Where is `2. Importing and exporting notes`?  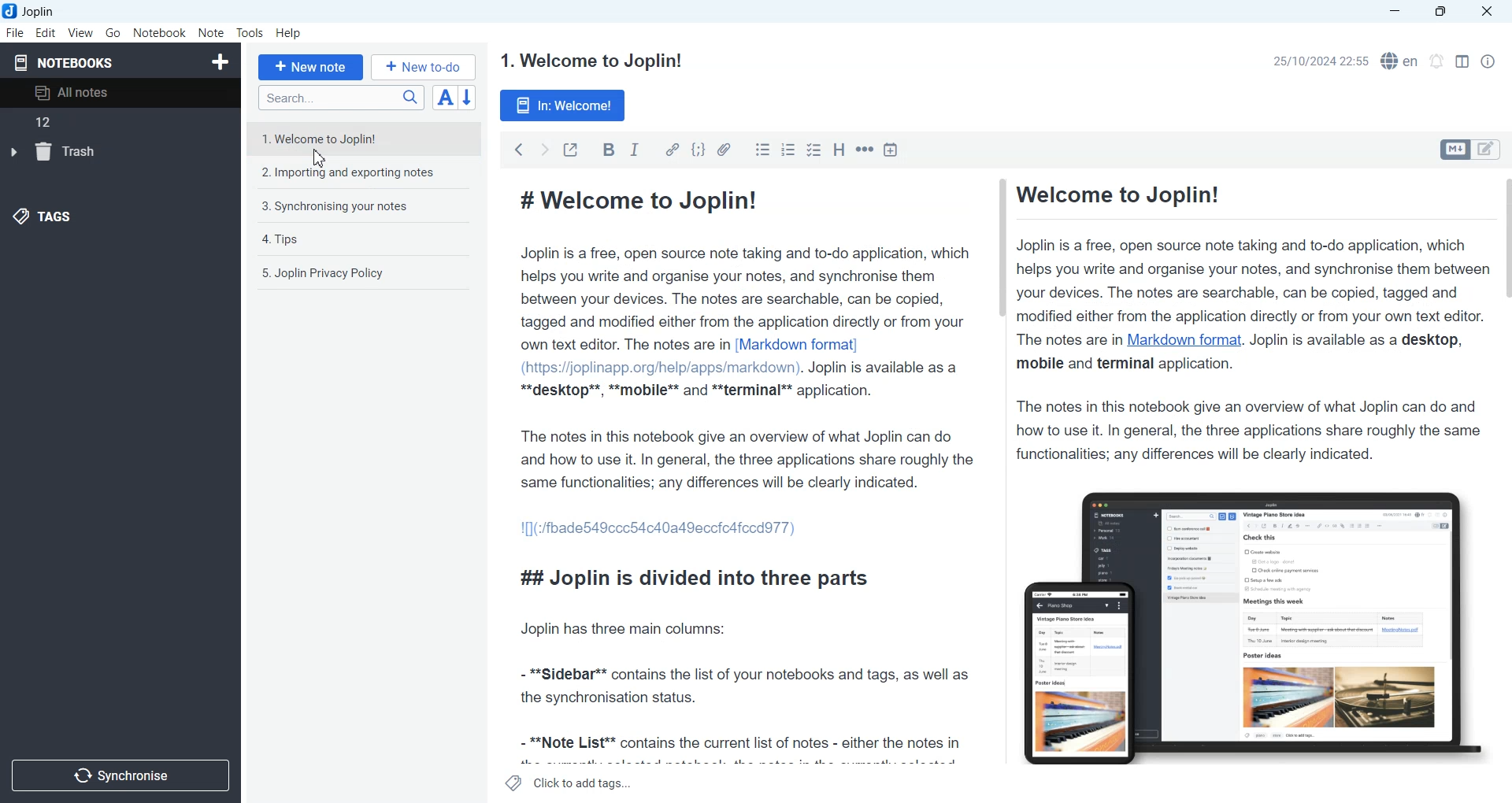 2. Importing and exporting notes is located at coordinates (350, 175).